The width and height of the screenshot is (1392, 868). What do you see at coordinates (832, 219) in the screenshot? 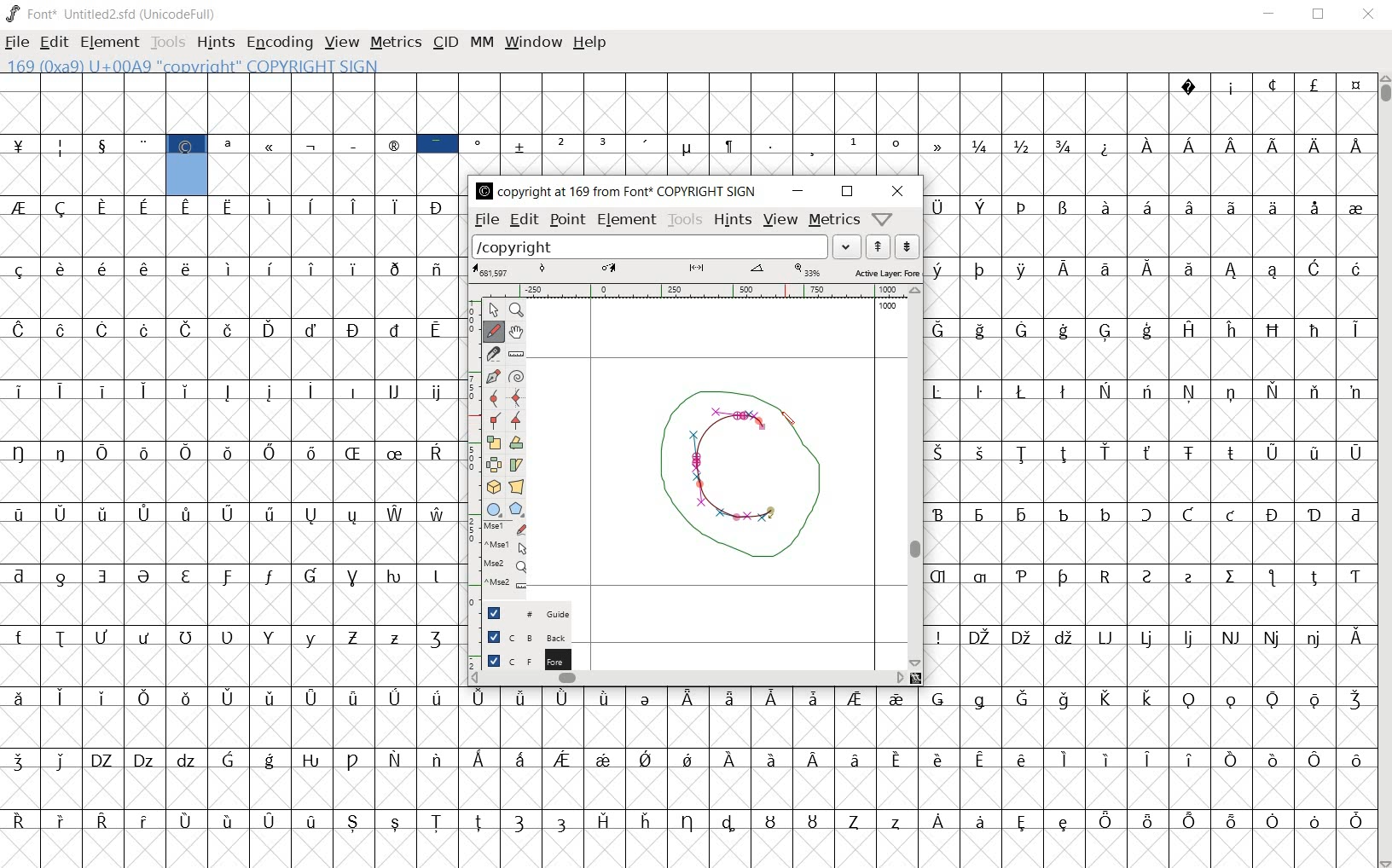
I see `metrics` at bounding box center [832, 219].